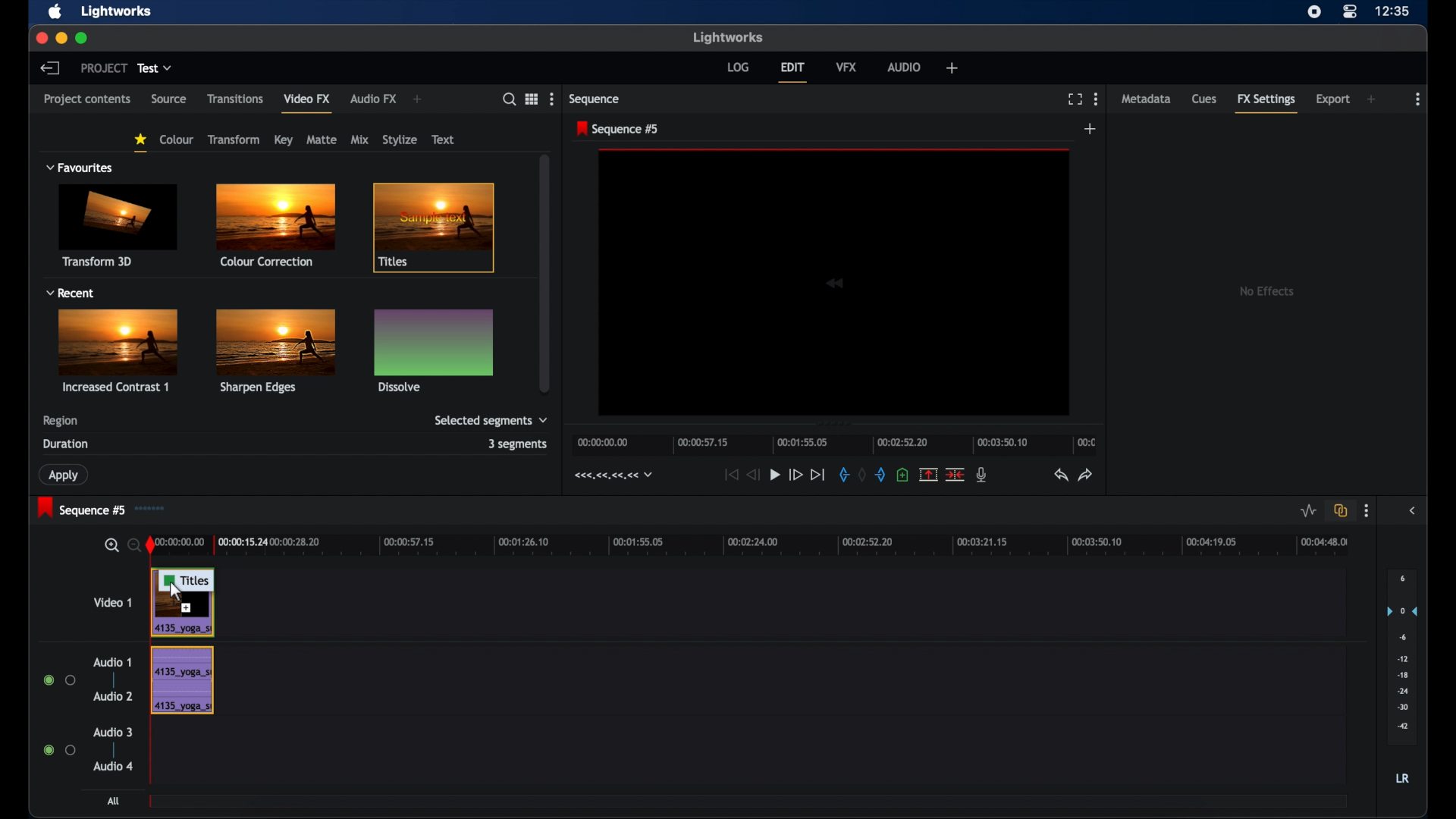 This screenshot has width=1456, height=819. Describe the element at coordinates (956, 474) in the screenshot. I see `delete cut` at that location.